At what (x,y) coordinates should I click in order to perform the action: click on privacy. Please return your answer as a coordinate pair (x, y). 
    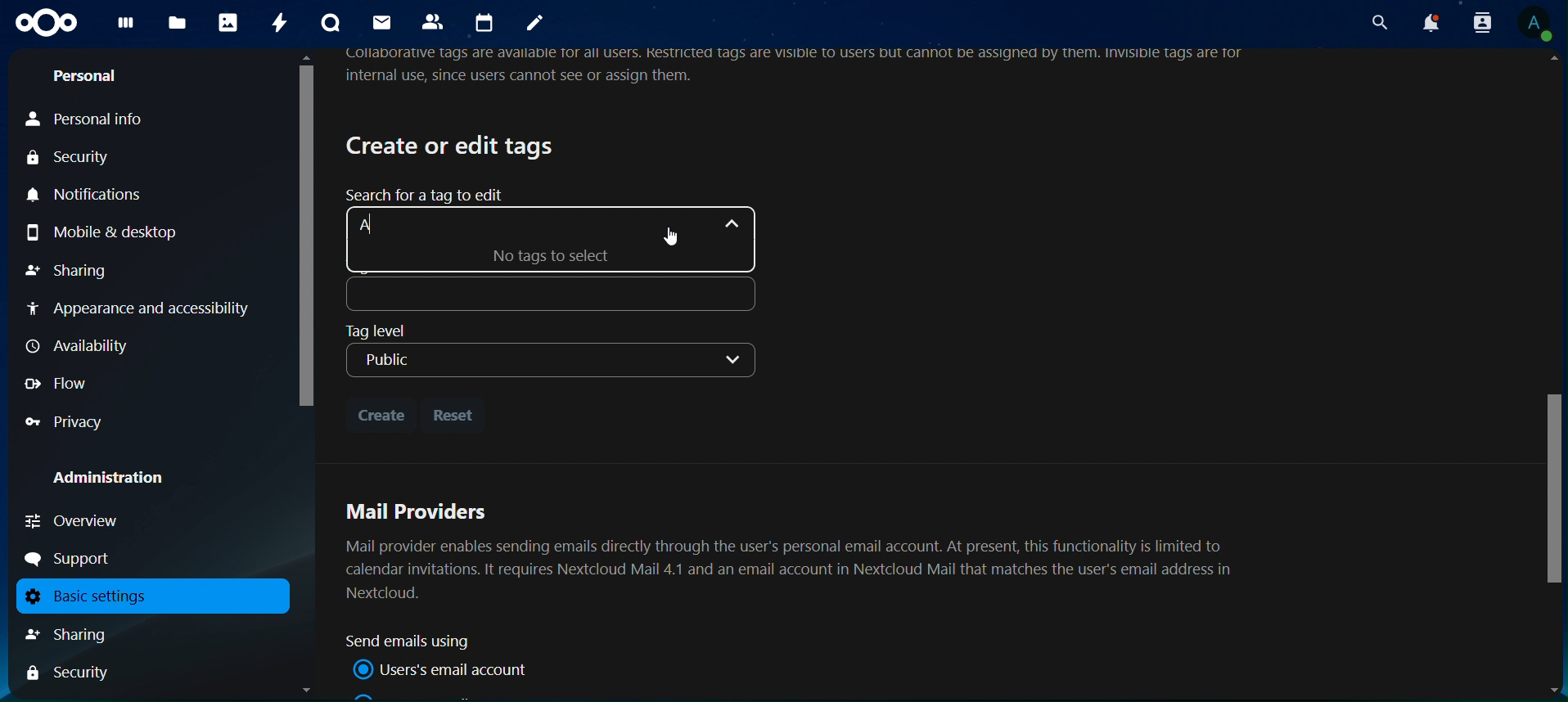
    Looking at the image, I should click on (65, 422).